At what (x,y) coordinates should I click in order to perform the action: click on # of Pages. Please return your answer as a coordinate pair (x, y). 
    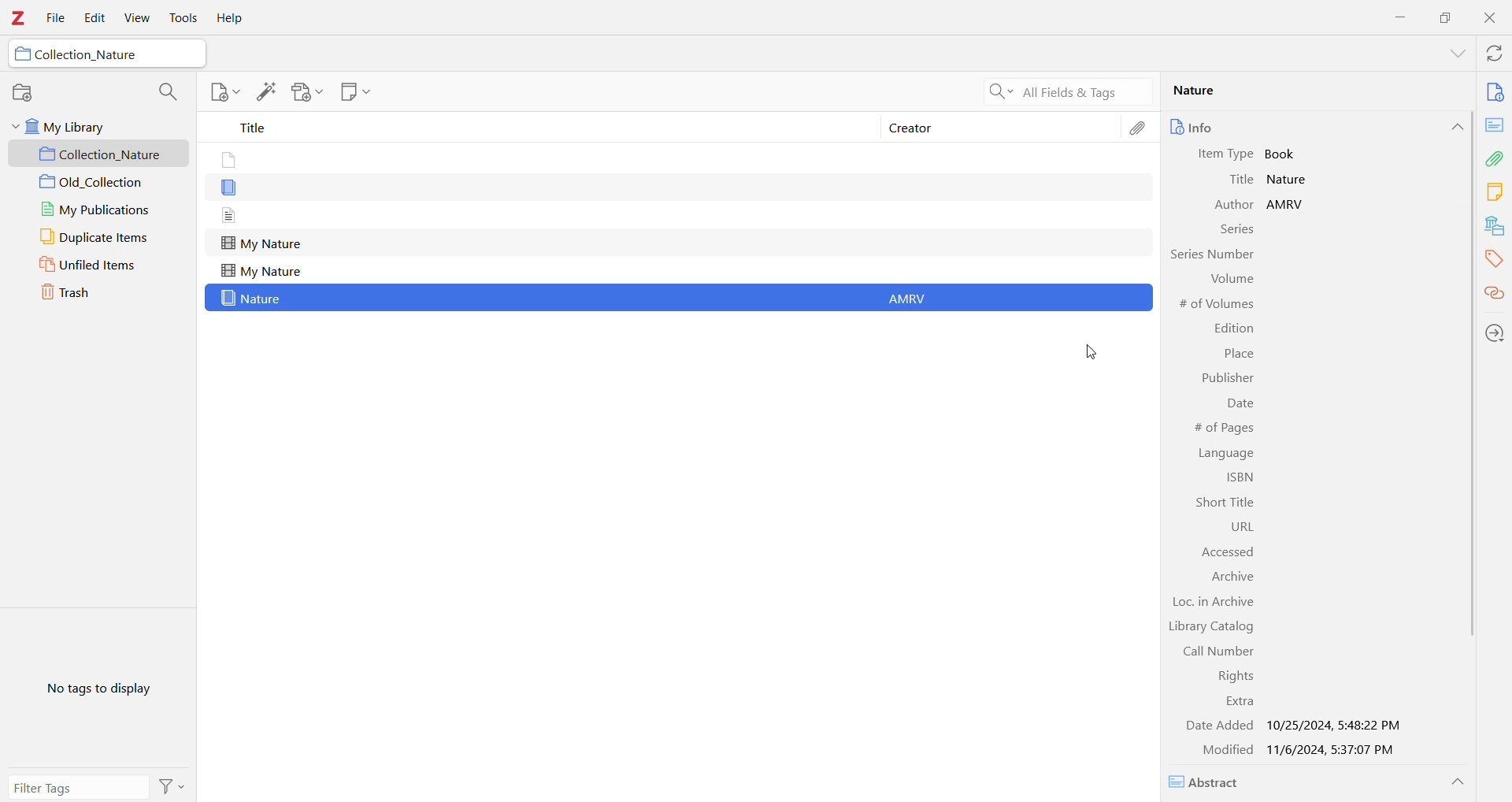
    Looking at the image, I should click on (1221, 428).